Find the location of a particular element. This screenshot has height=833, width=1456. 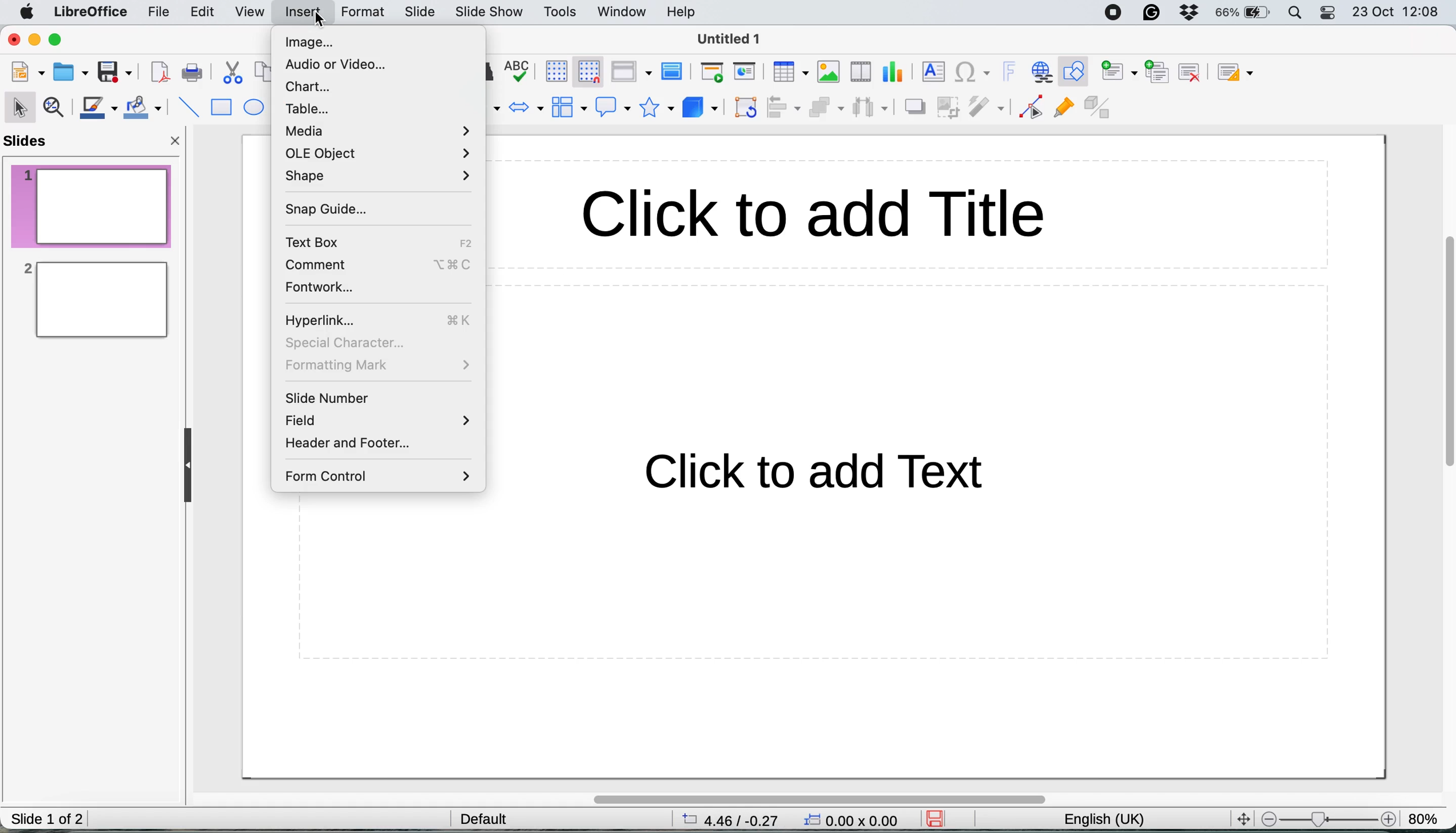

dropbox is located at coordinates (1190, 14).